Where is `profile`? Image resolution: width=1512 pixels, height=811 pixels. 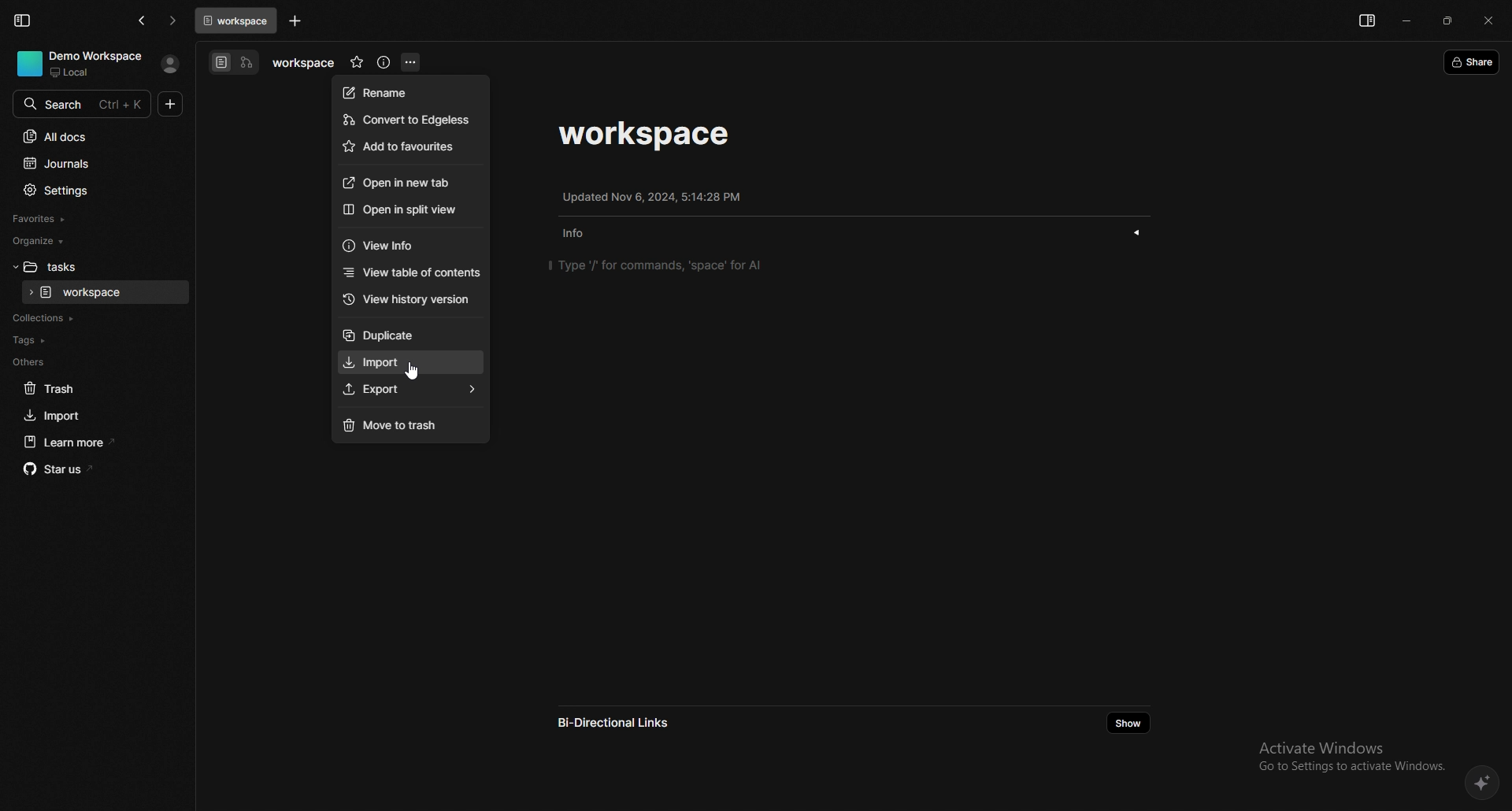 profile is located at coordinates (170, 64).